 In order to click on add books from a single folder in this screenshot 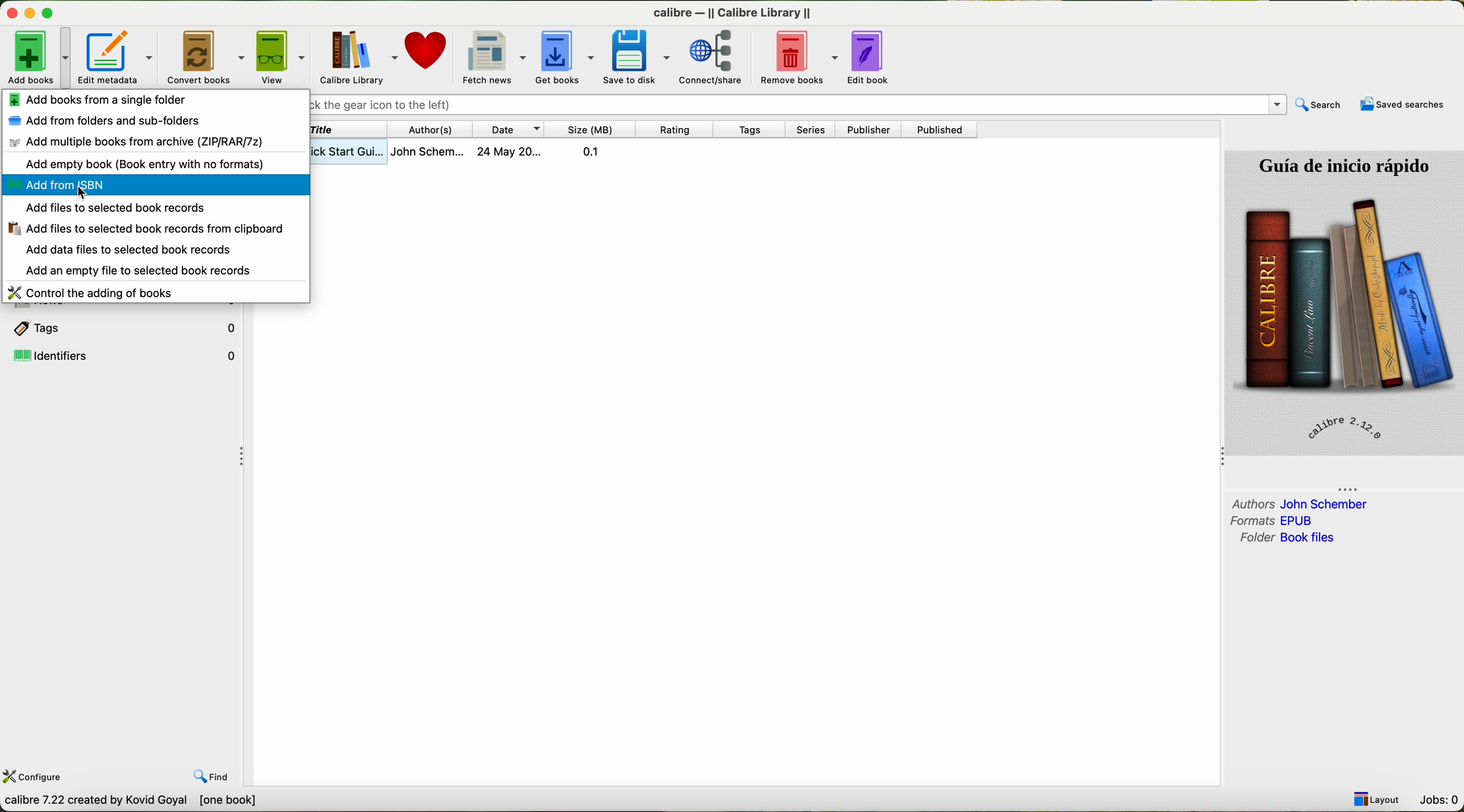, I will do `click(99, 101)`.